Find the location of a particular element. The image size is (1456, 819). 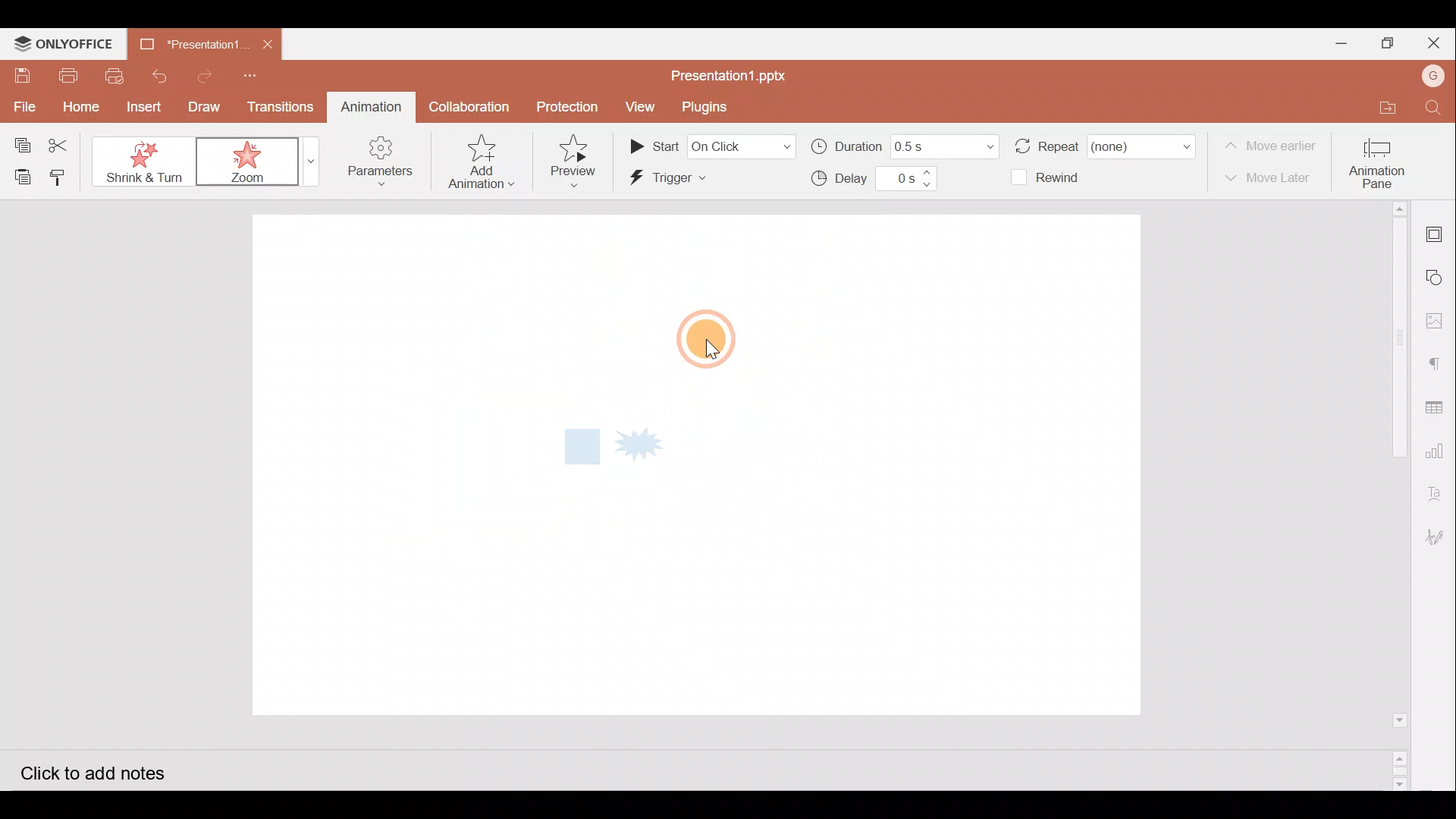

Scroll bar is located at coordinates (1393, 495).